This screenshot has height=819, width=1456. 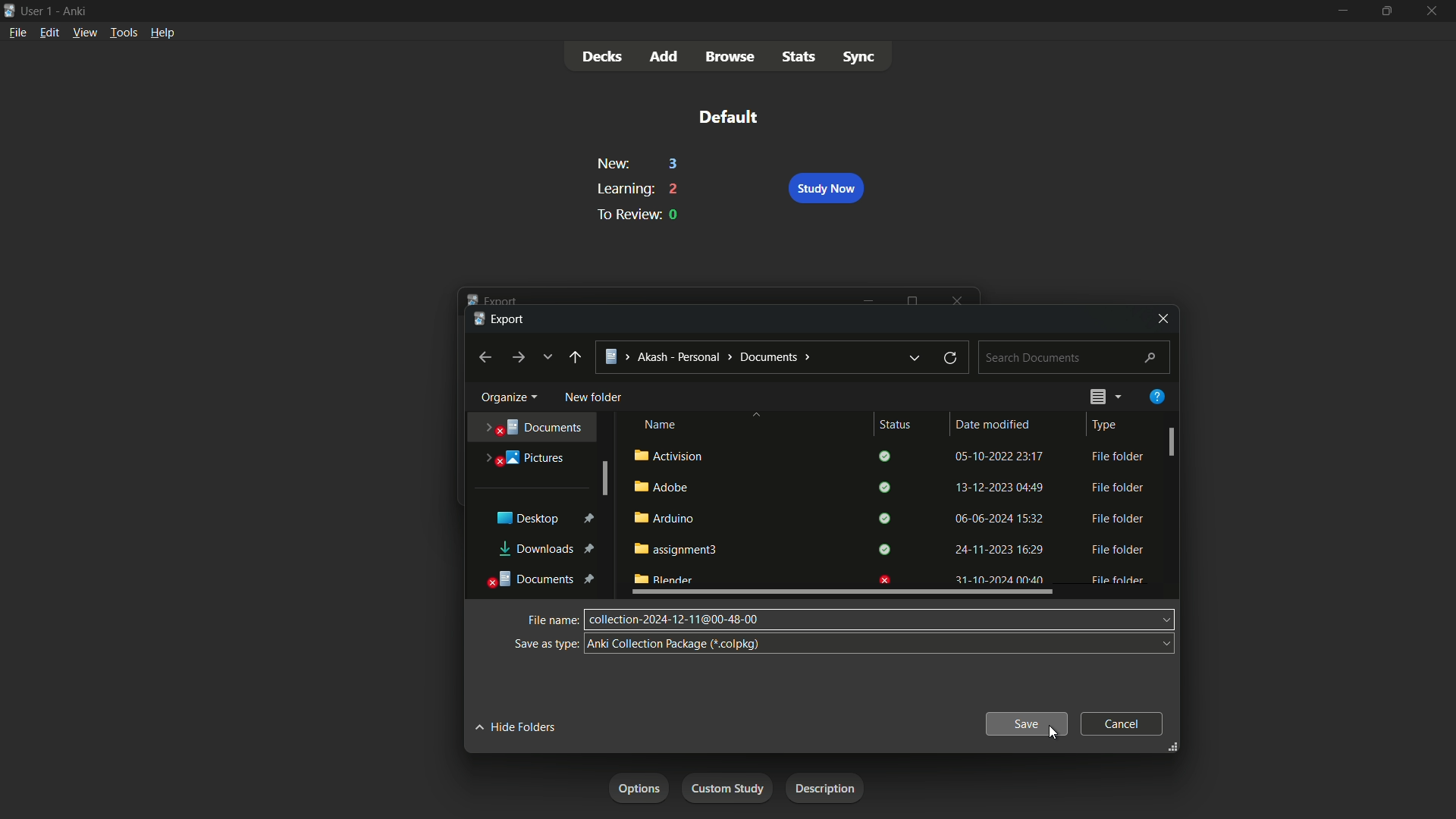 What do you see at coordinates (544, 517) in the screenshot?
I see `desktop` at bounding box center [544, 517].